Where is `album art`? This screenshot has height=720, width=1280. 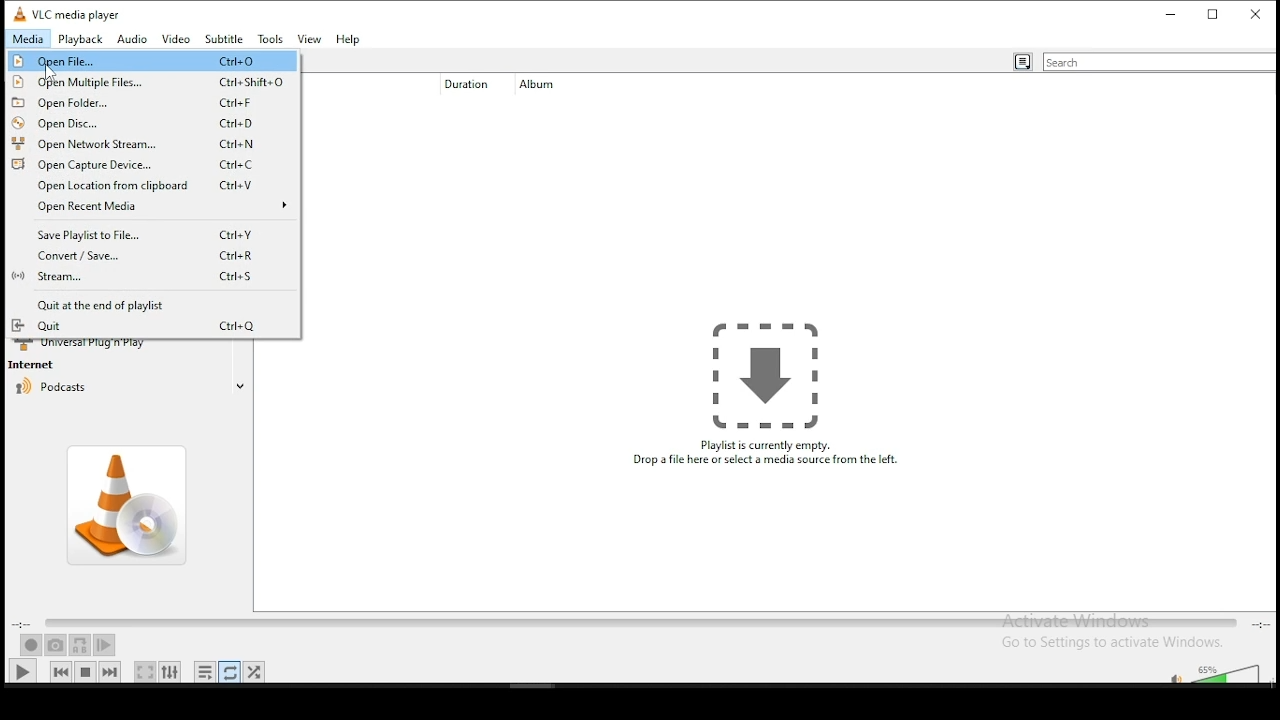
album art is located at coordinates (130, 506).